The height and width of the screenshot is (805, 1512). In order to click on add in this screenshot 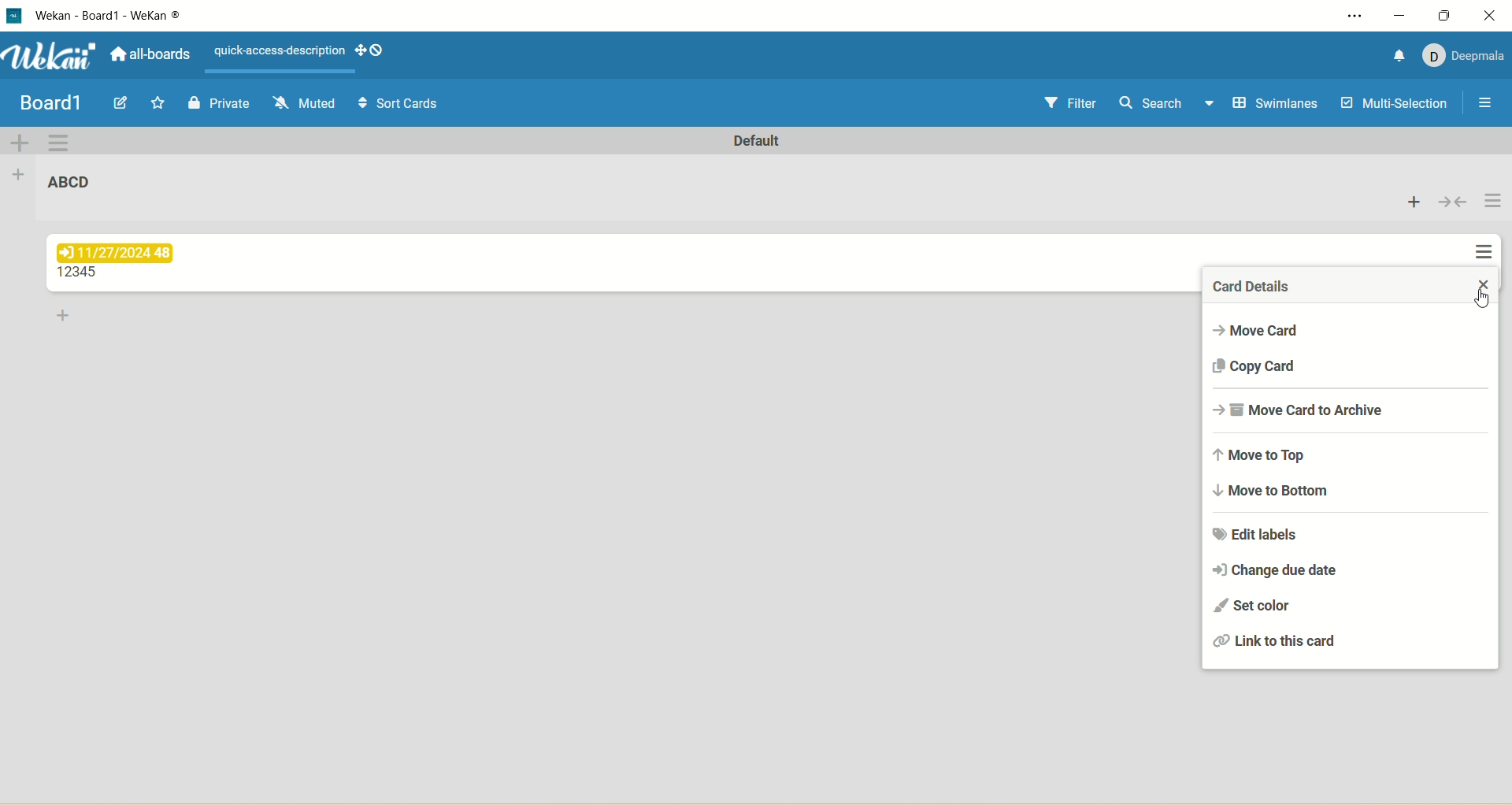, I will do `click(65, 317)`.